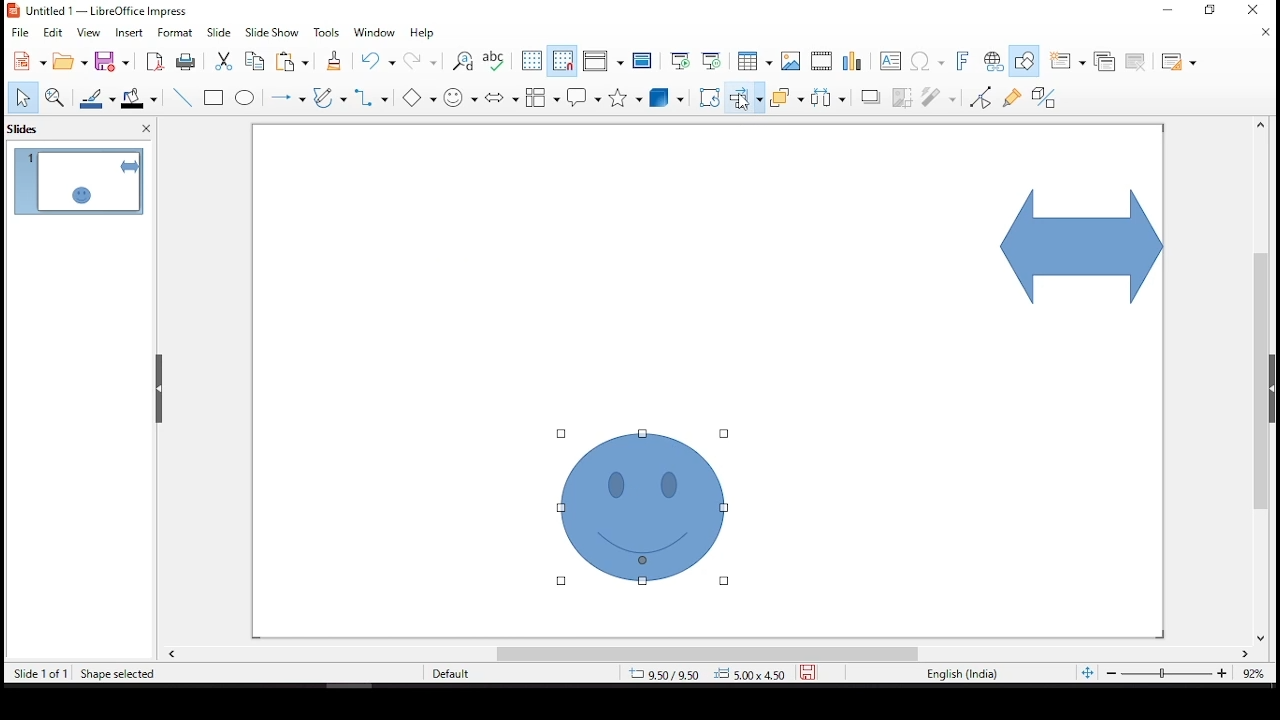 The height and width of the screenshot is (720, 1280). What do you see at coordinates (1103, 58) in the screenshot?
I see `duplicate slide` at bounding box center [1103, 58].